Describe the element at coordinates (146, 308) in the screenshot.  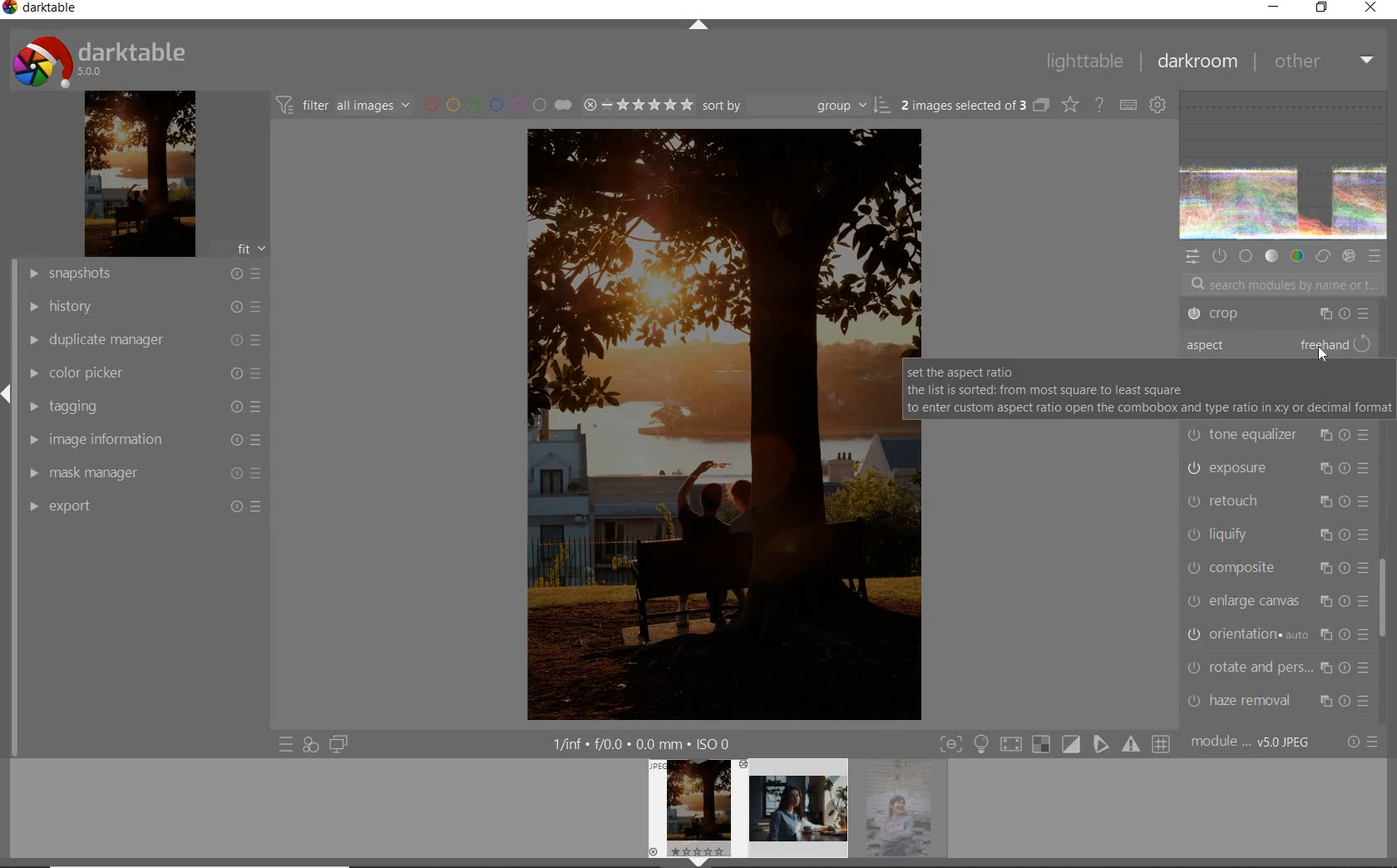
I see `history` at that location.